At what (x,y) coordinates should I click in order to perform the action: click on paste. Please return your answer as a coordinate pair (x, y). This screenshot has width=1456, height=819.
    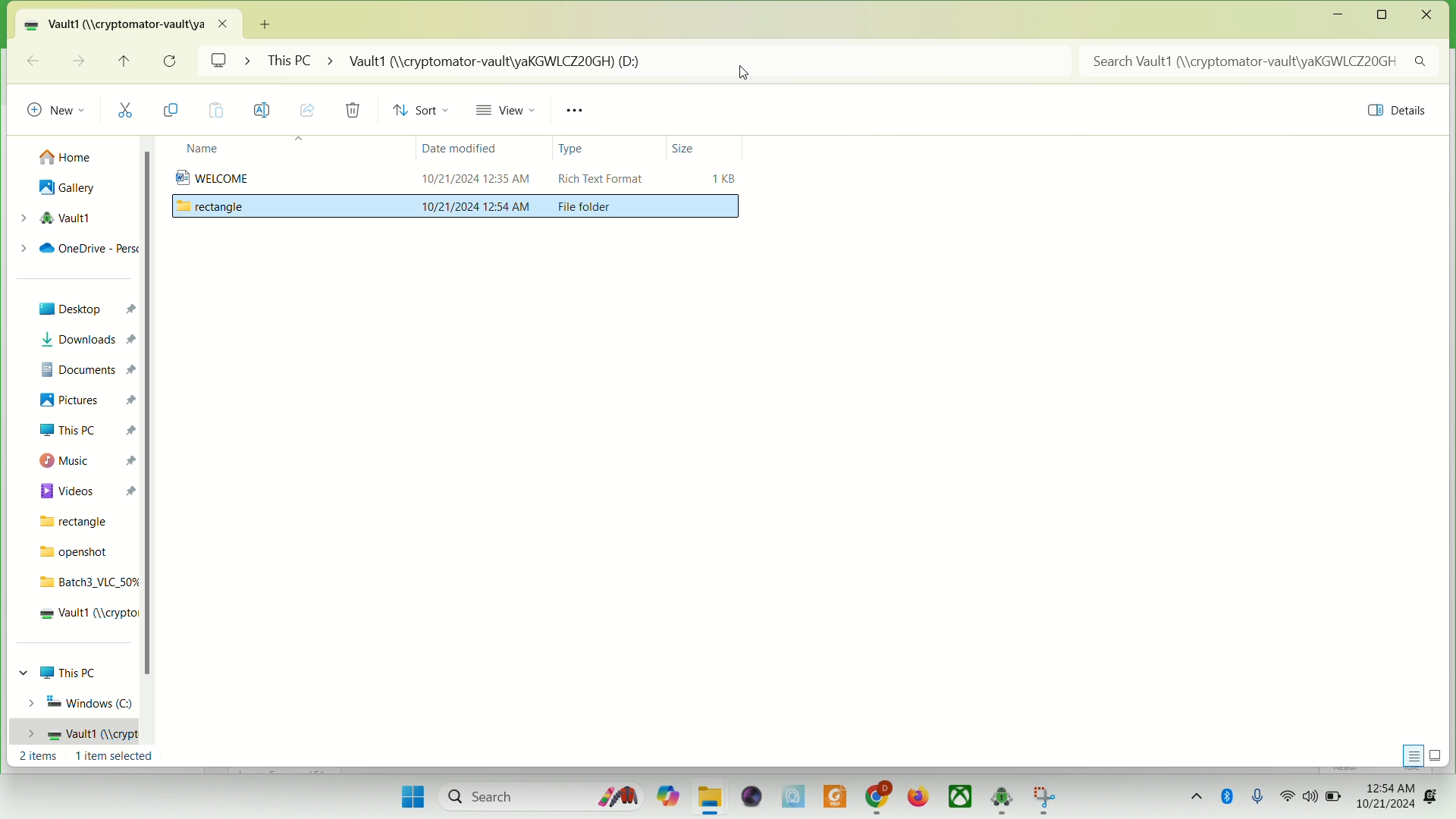
    Looking at the image, I should click on (217, 111).